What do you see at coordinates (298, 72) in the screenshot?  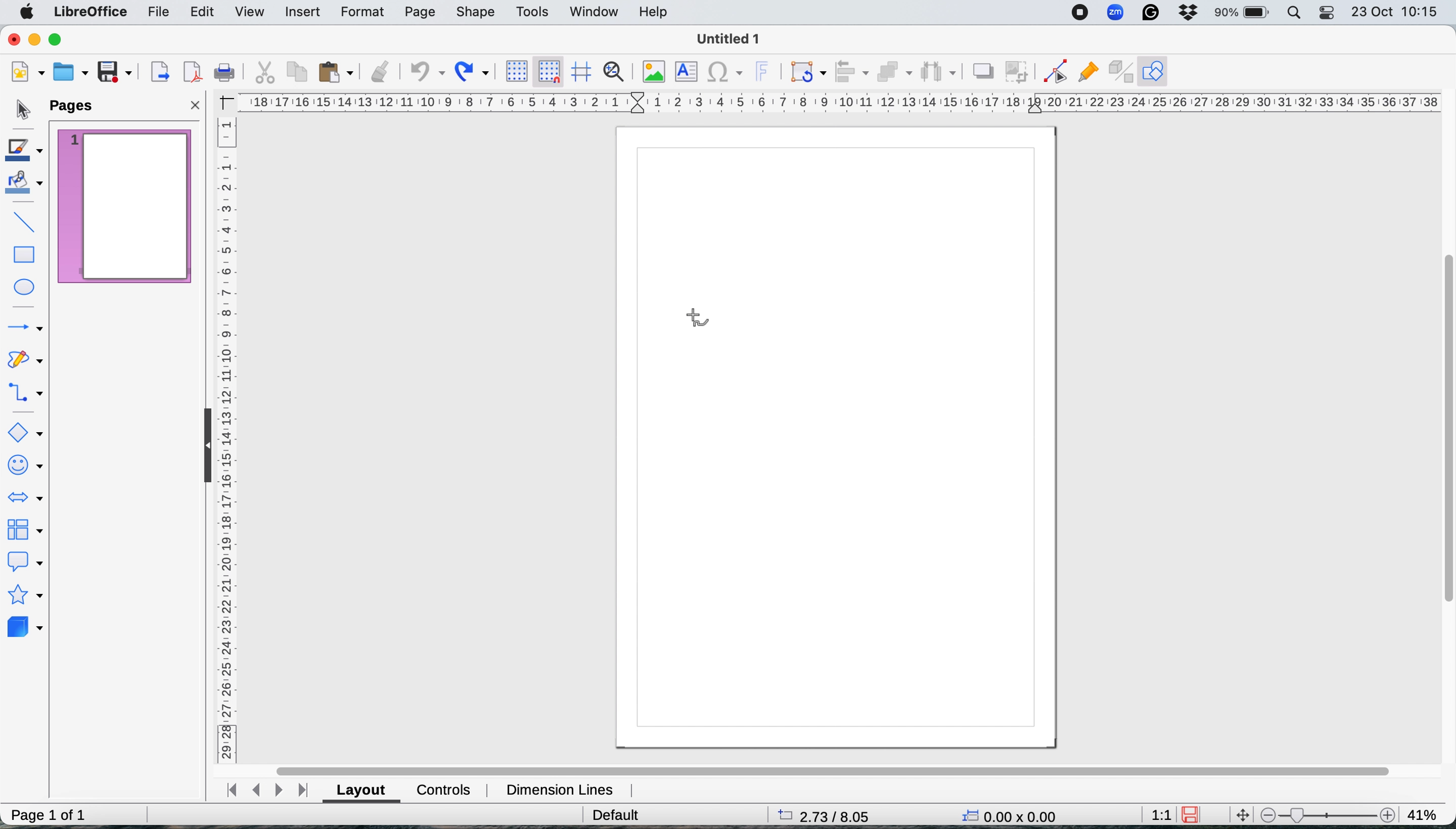 I see `copy` at bounding box center [298, 72].